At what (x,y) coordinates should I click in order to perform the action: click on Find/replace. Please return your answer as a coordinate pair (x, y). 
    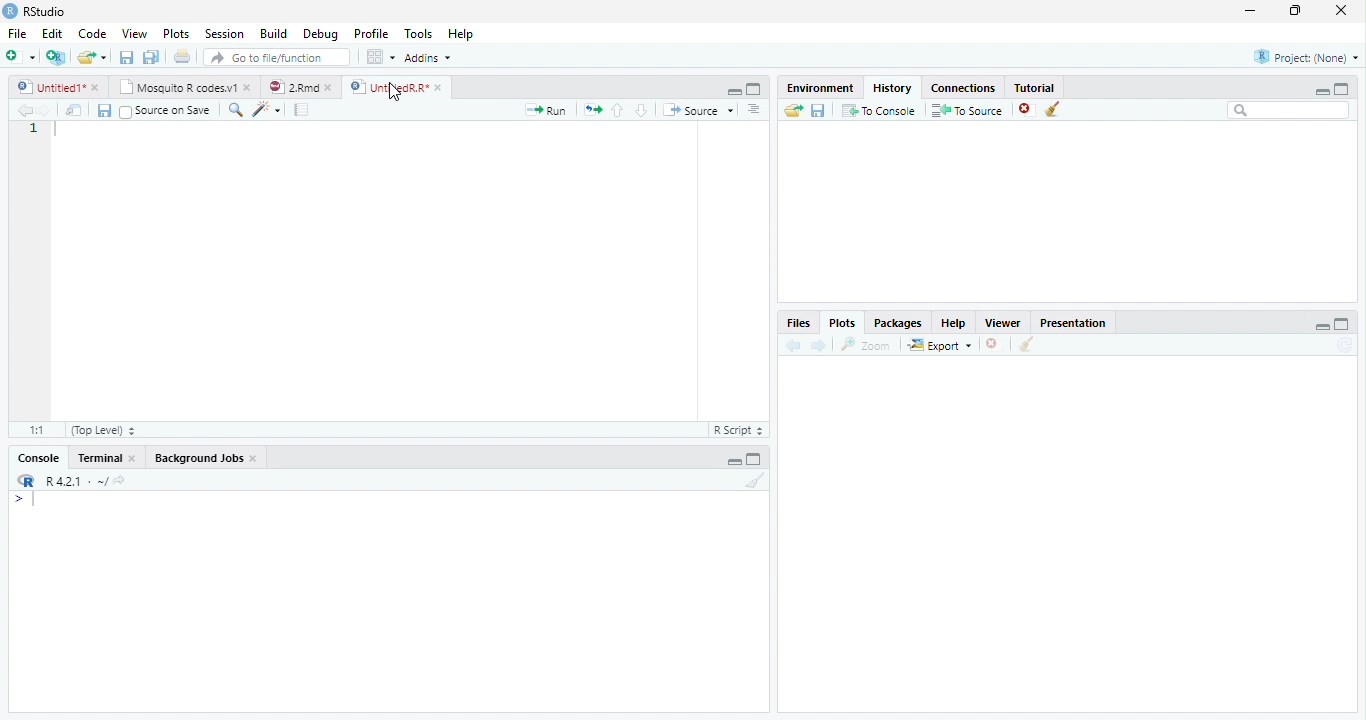
    Looking at the image, I should click on (234, 110).